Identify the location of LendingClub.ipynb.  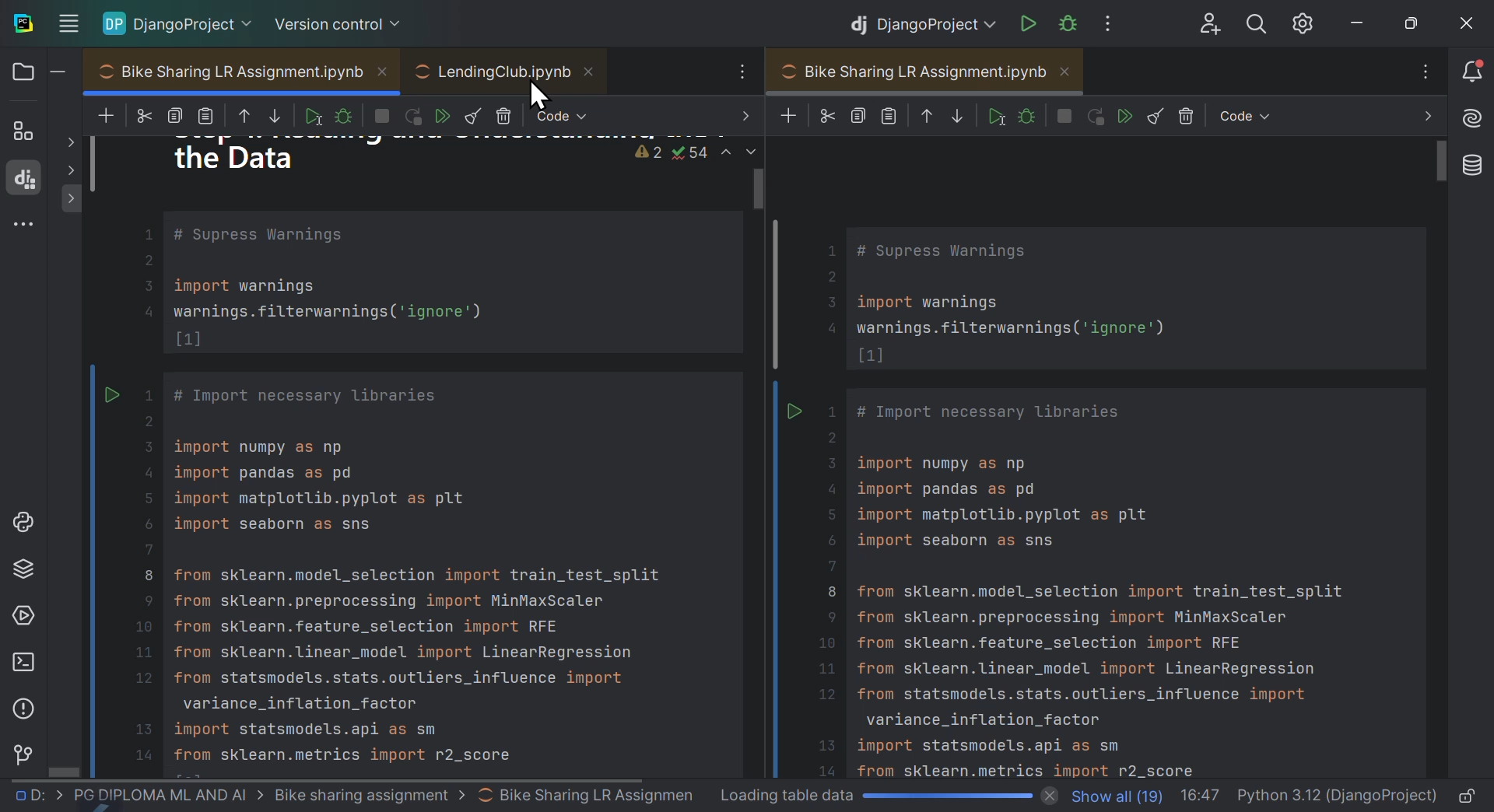
(507, 70).